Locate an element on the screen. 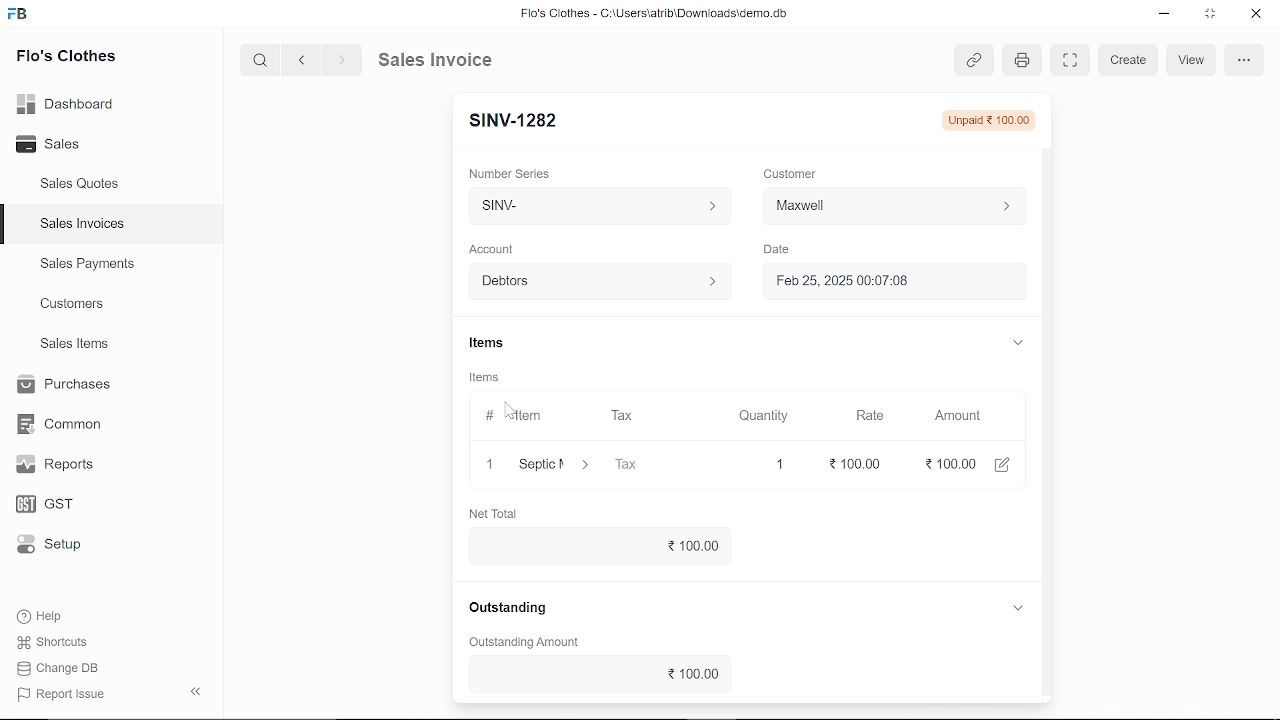  next is located at coordinates (342, 60).